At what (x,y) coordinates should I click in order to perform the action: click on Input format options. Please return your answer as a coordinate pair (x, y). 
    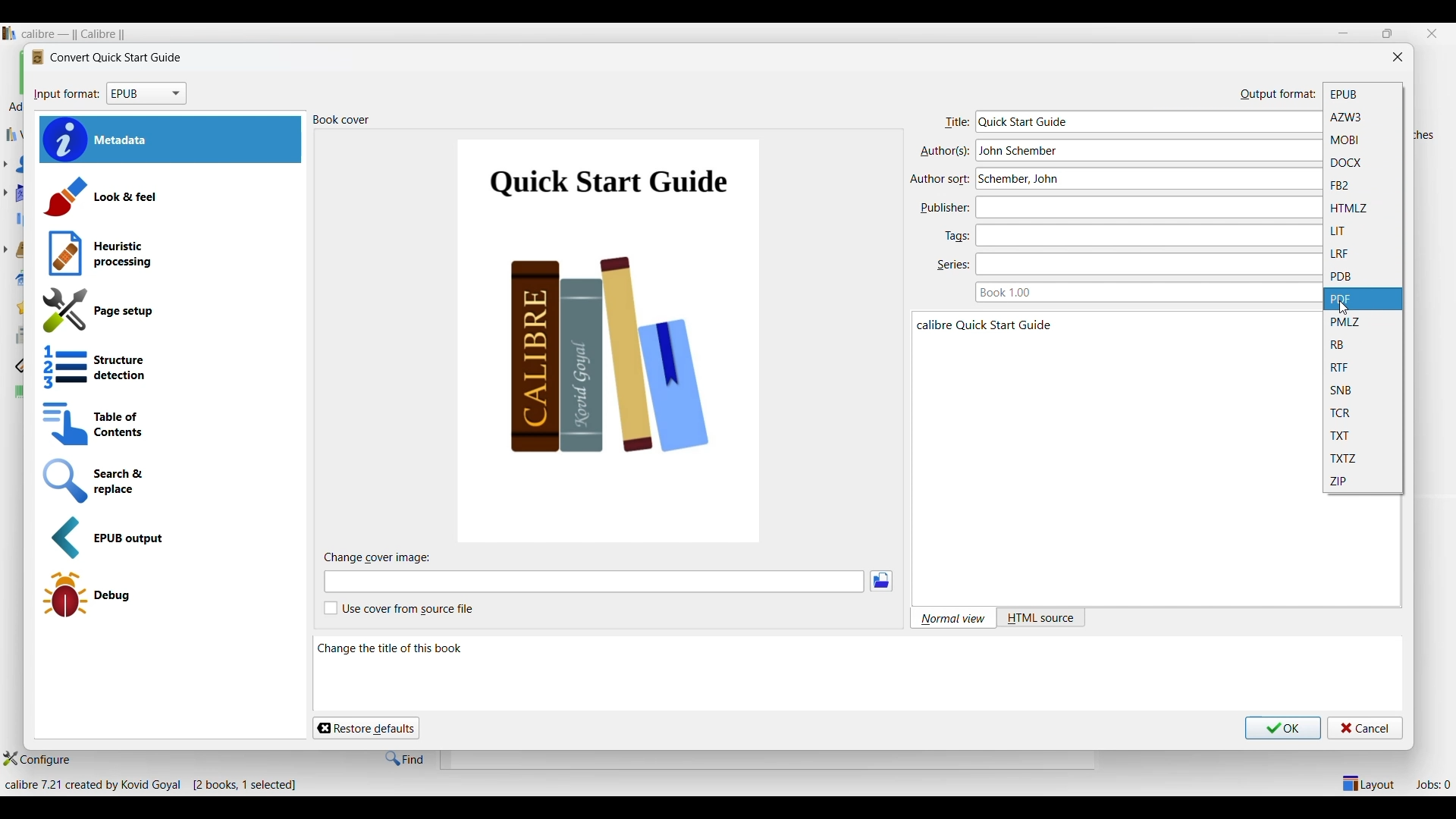
    Looking at the image, I should click on (147, 94).